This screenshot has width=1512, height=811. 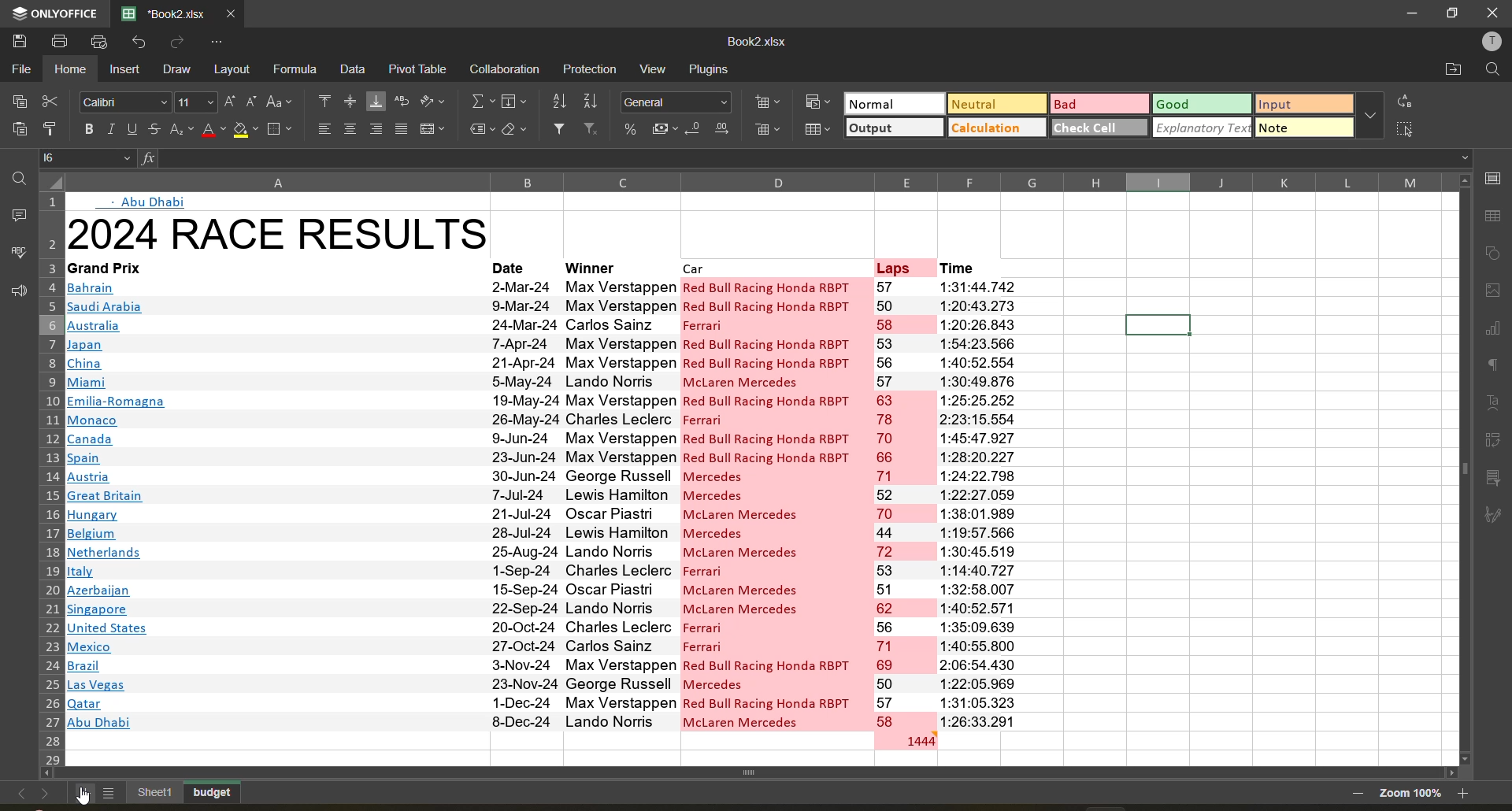 What do you see at coordinates (141, 43) in the screenshot?
I see `undo` at bounding box center [141, 43].